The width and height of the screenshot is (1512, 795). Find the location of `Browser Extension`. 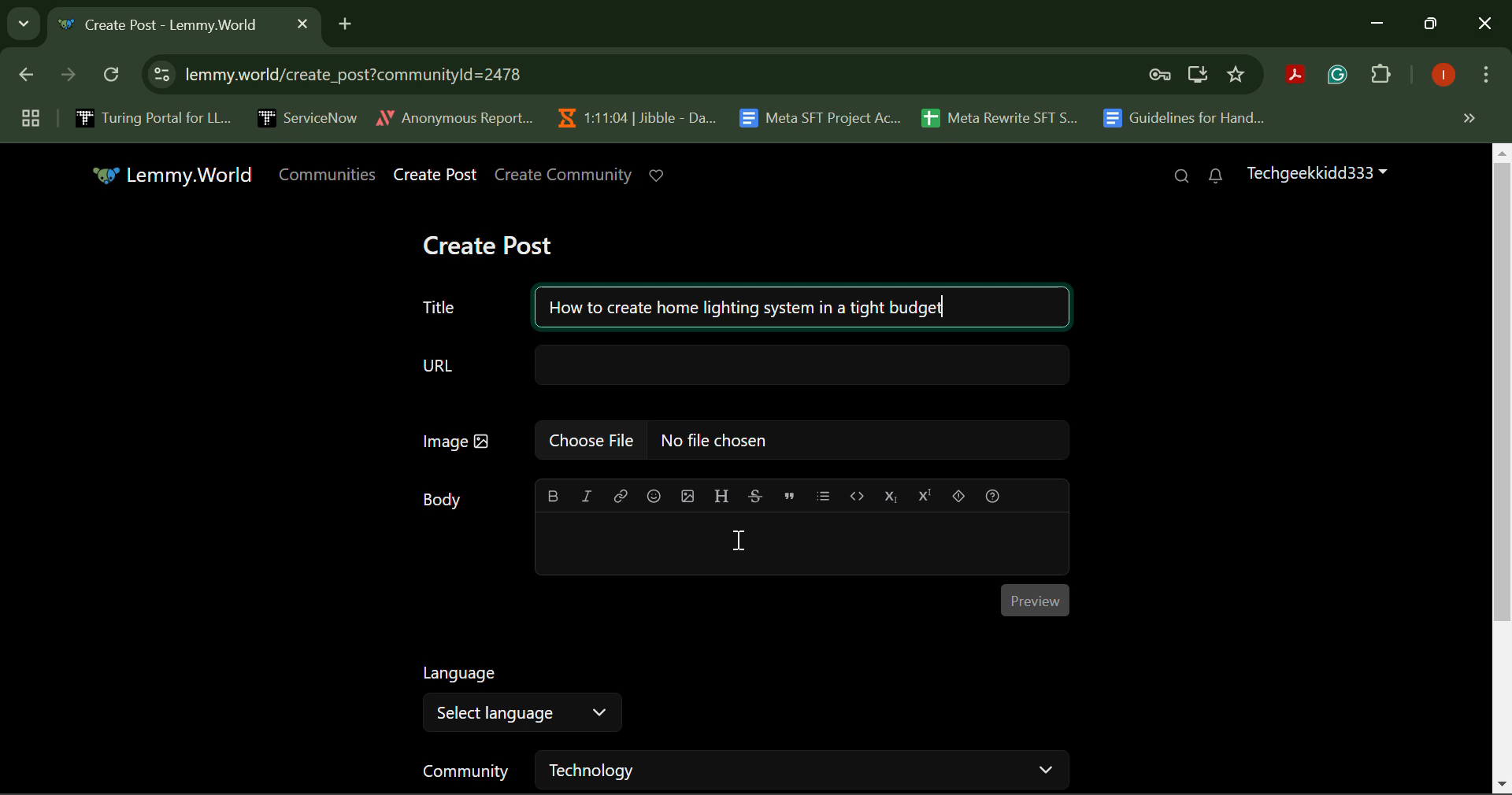

Browser Extension is located at coordinates (1341, 76).